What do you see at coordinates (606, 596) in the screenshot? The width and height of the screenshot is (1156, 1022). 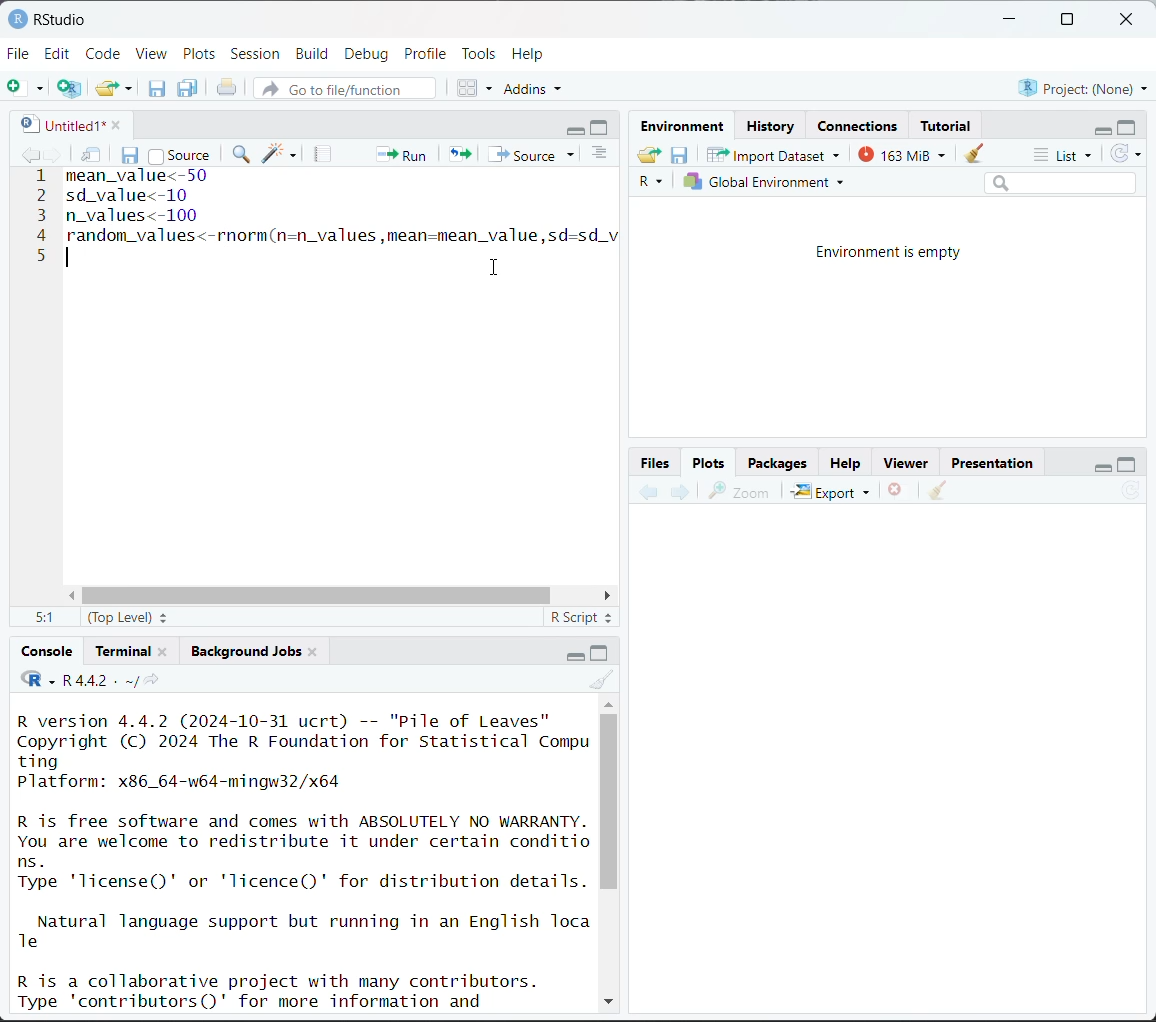 I see `move right` at bounding box center [606, 596].